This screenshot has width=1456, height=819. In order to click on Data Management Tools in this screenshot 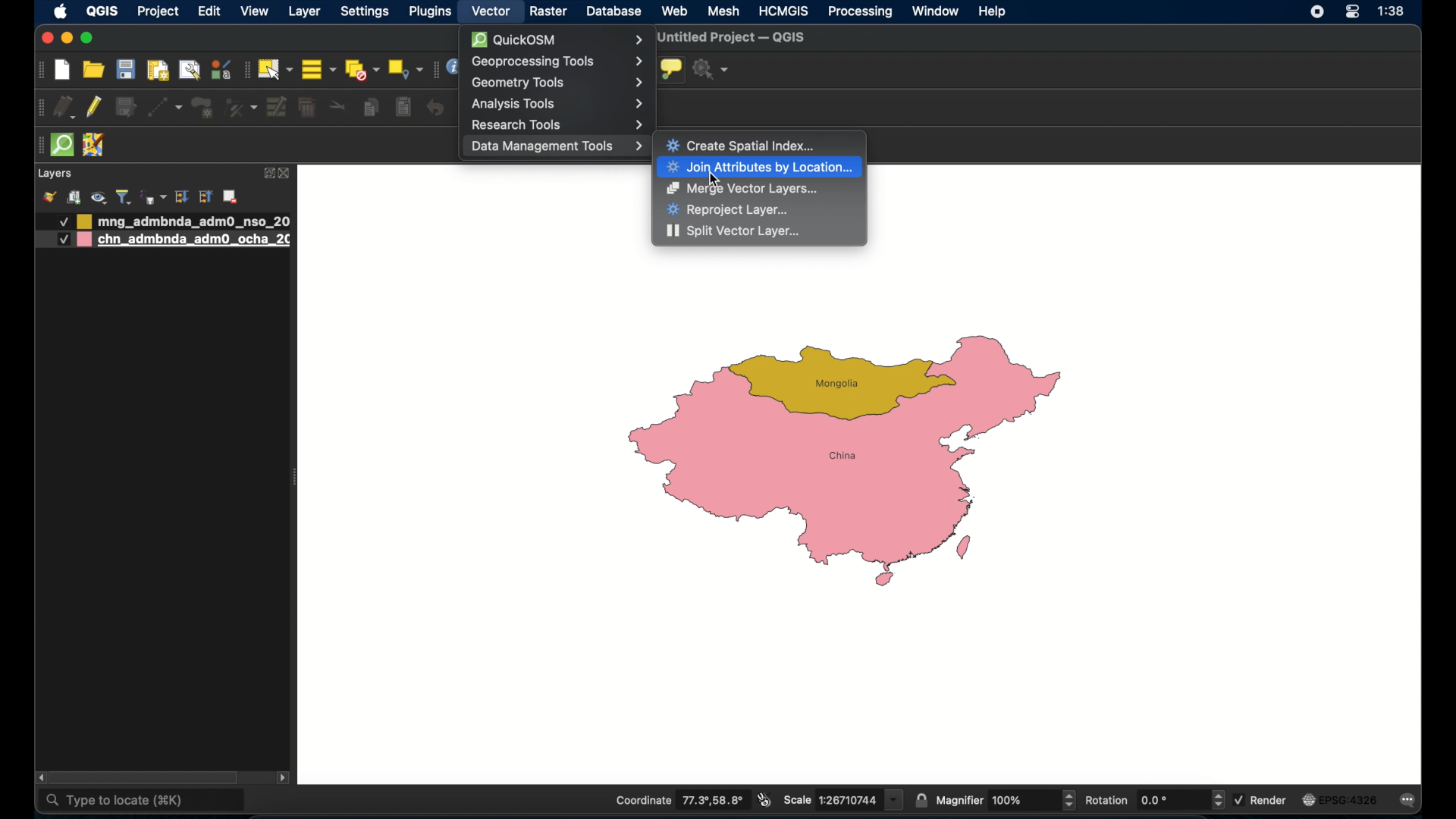, I will do `click(557, 146)`.